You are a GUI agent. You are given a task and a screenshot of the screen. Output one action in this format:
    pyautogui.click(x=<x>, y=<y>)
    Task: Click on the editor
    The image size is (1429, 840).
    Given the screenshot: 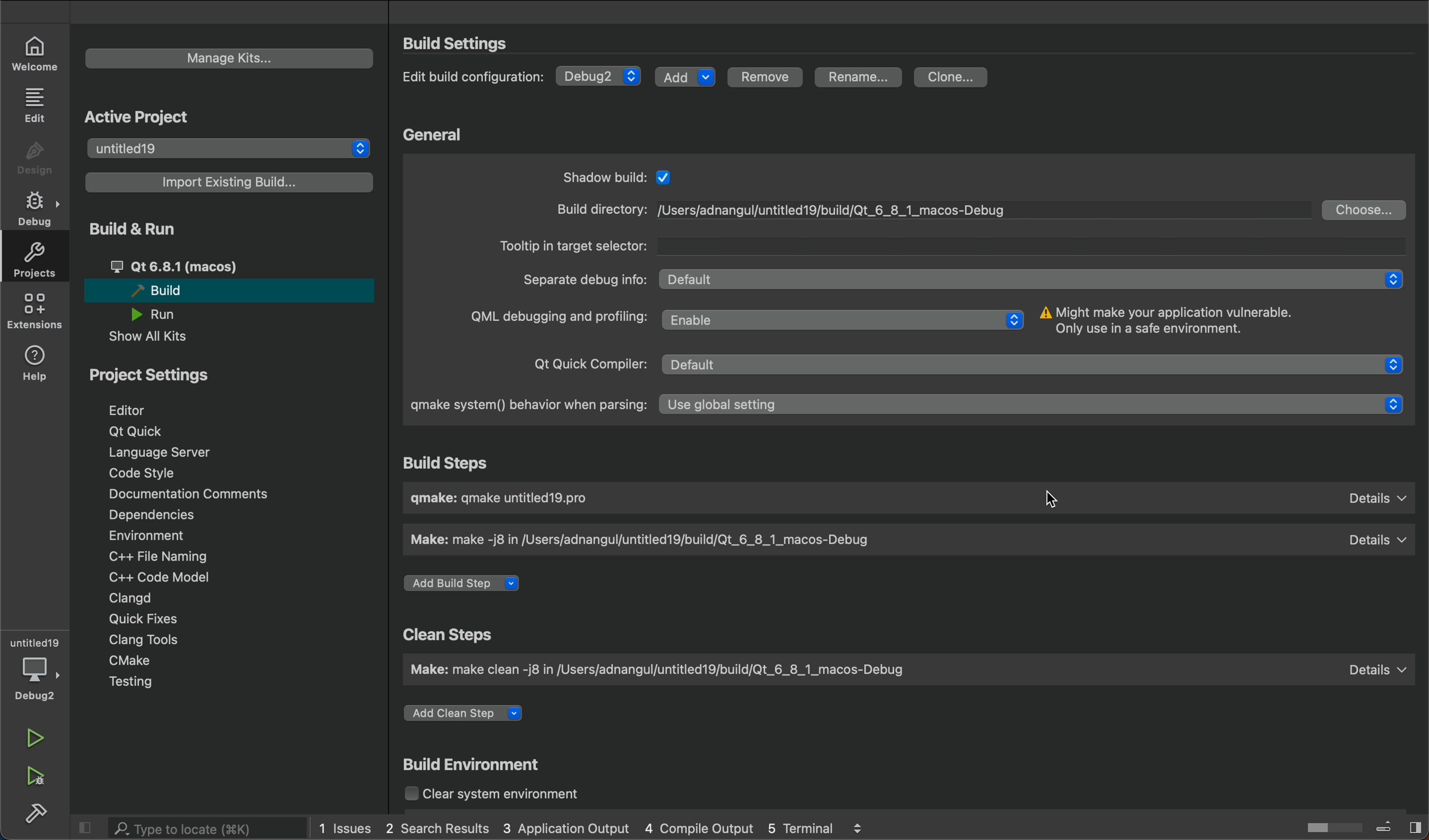 What is the action you would take?
    pyautogui.click(x=144, y=409)
    